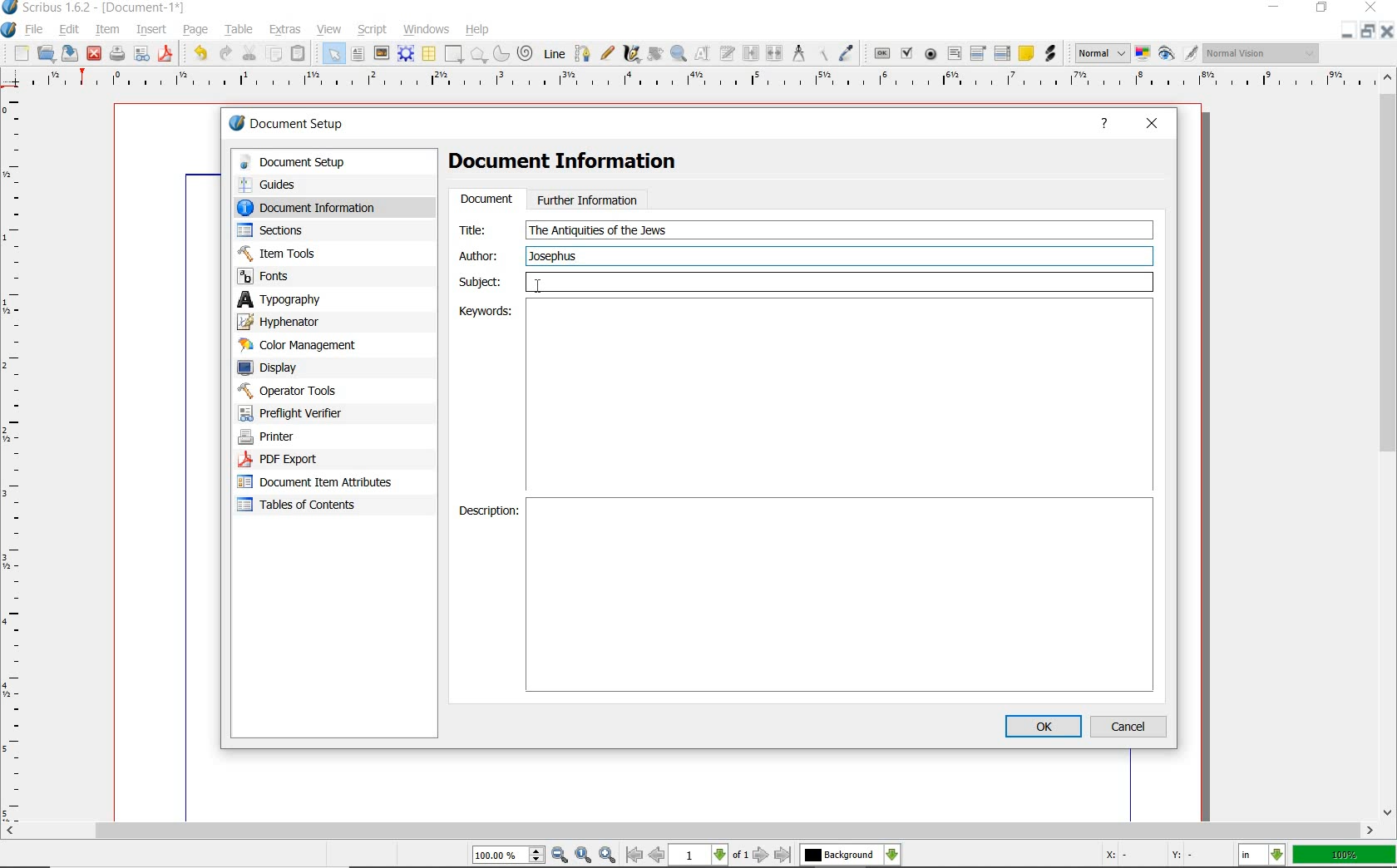 Image resolution: width=1397 pixels, height=868 pixels. Describe the element at coordinates (1131, 726) in the screenshot. I see `cancel` at that location.